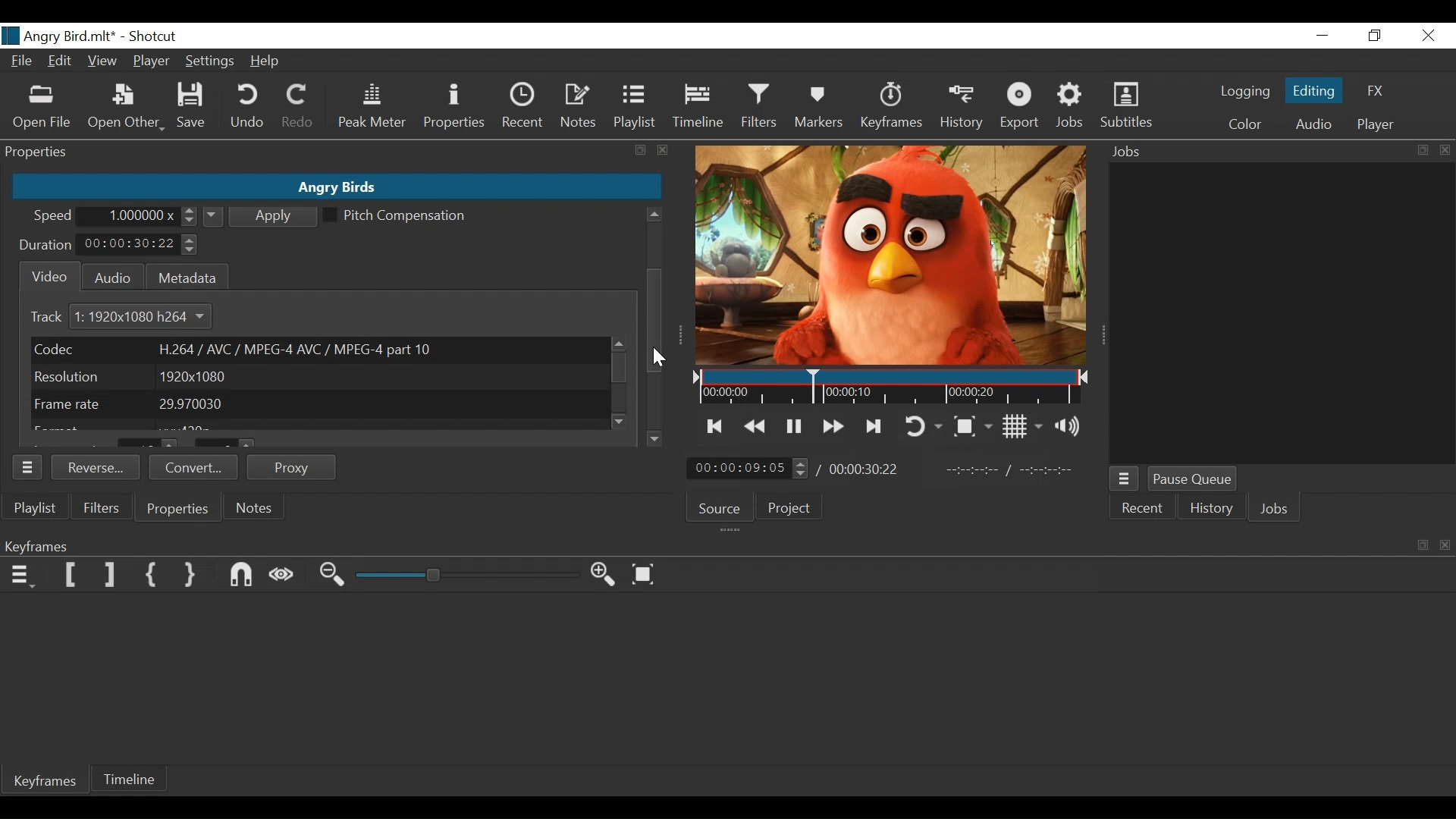 The height and width of the screenshot is (819, 1456). I want to click on Vertical Scroll bar, so click(653, 275).